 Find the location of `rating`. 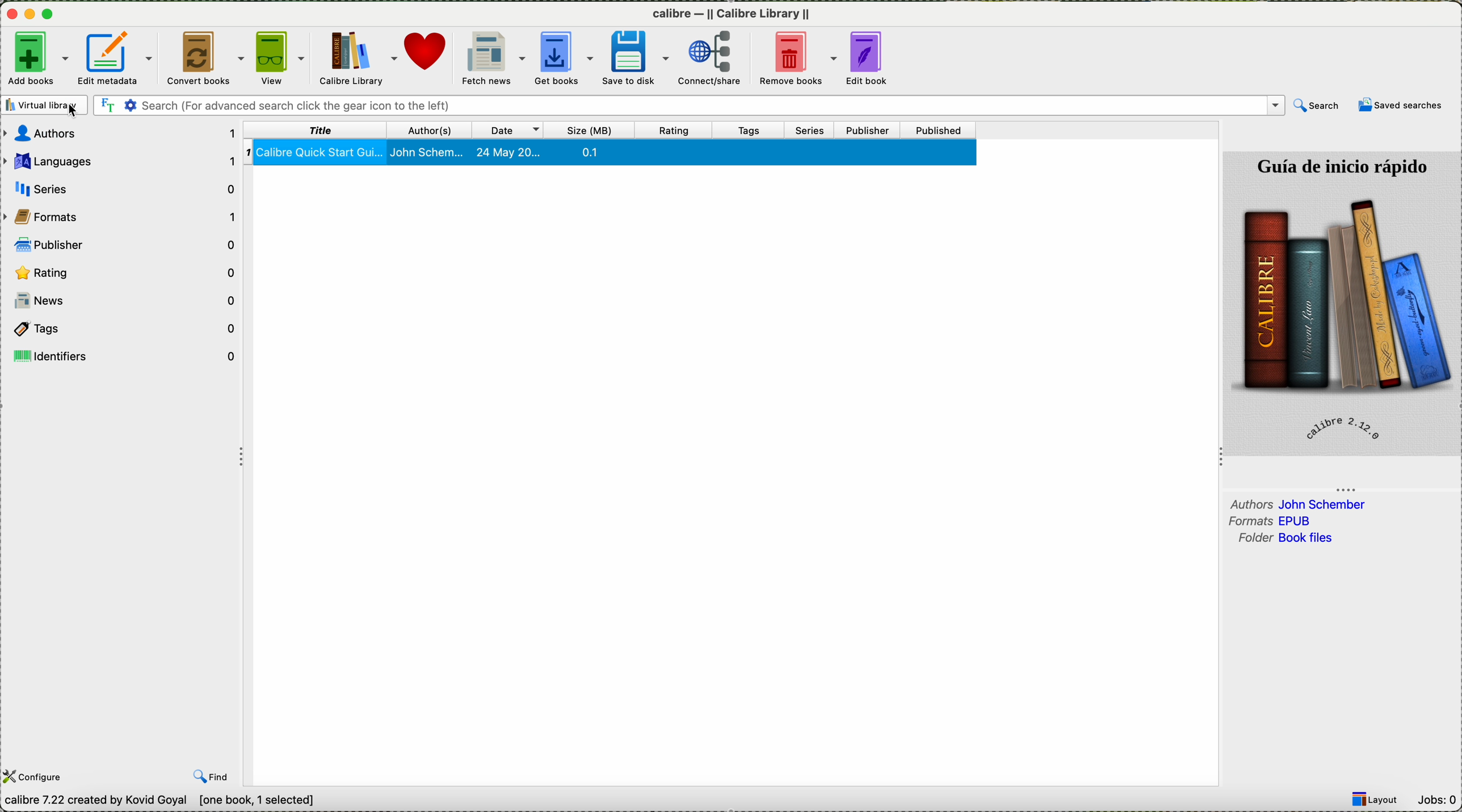

rating is located at coordinates (124, 272).